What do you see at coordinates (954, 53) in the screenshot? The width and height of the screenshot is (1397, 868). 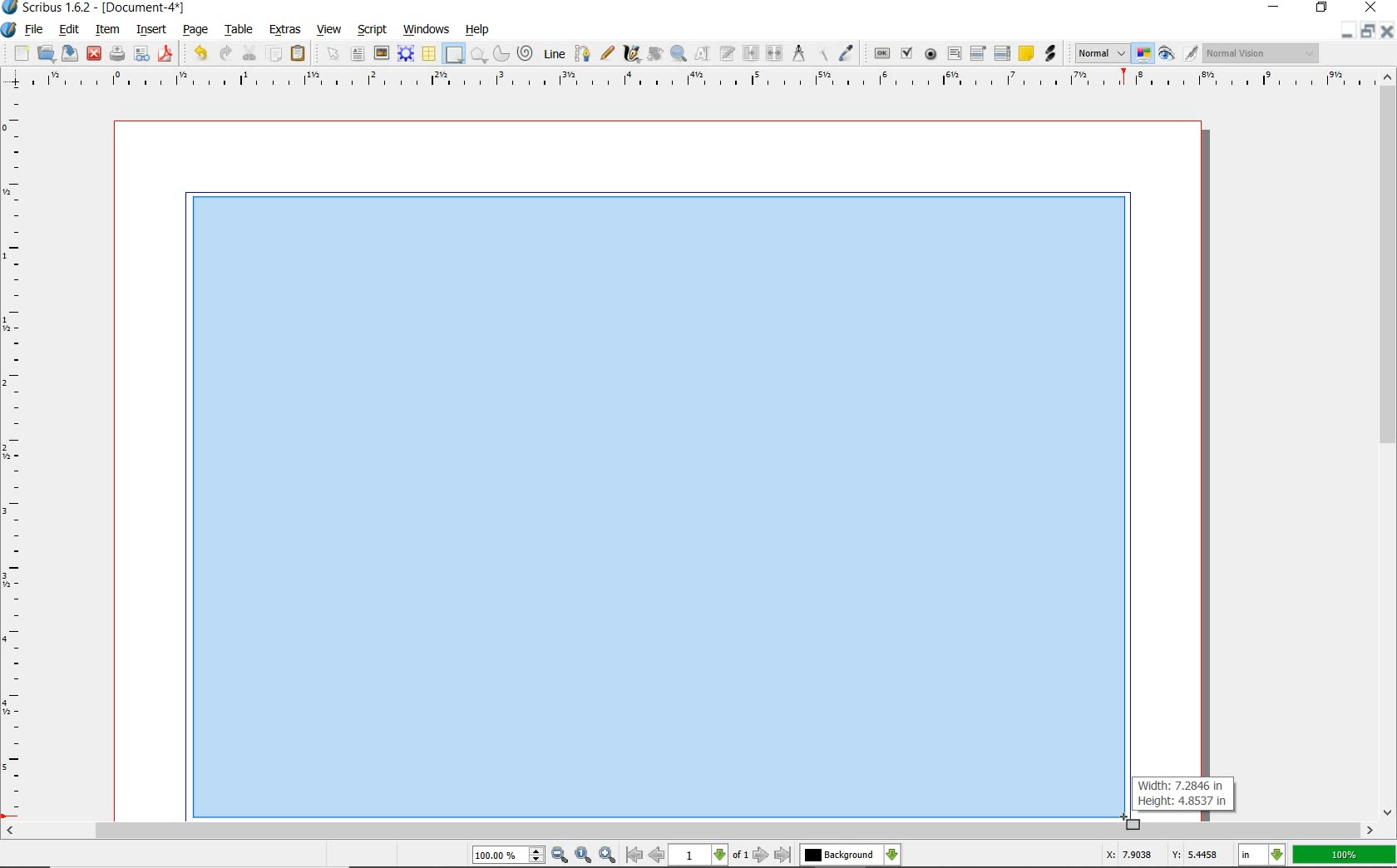 I see `pdf text field` at bounding box center [954, 53].